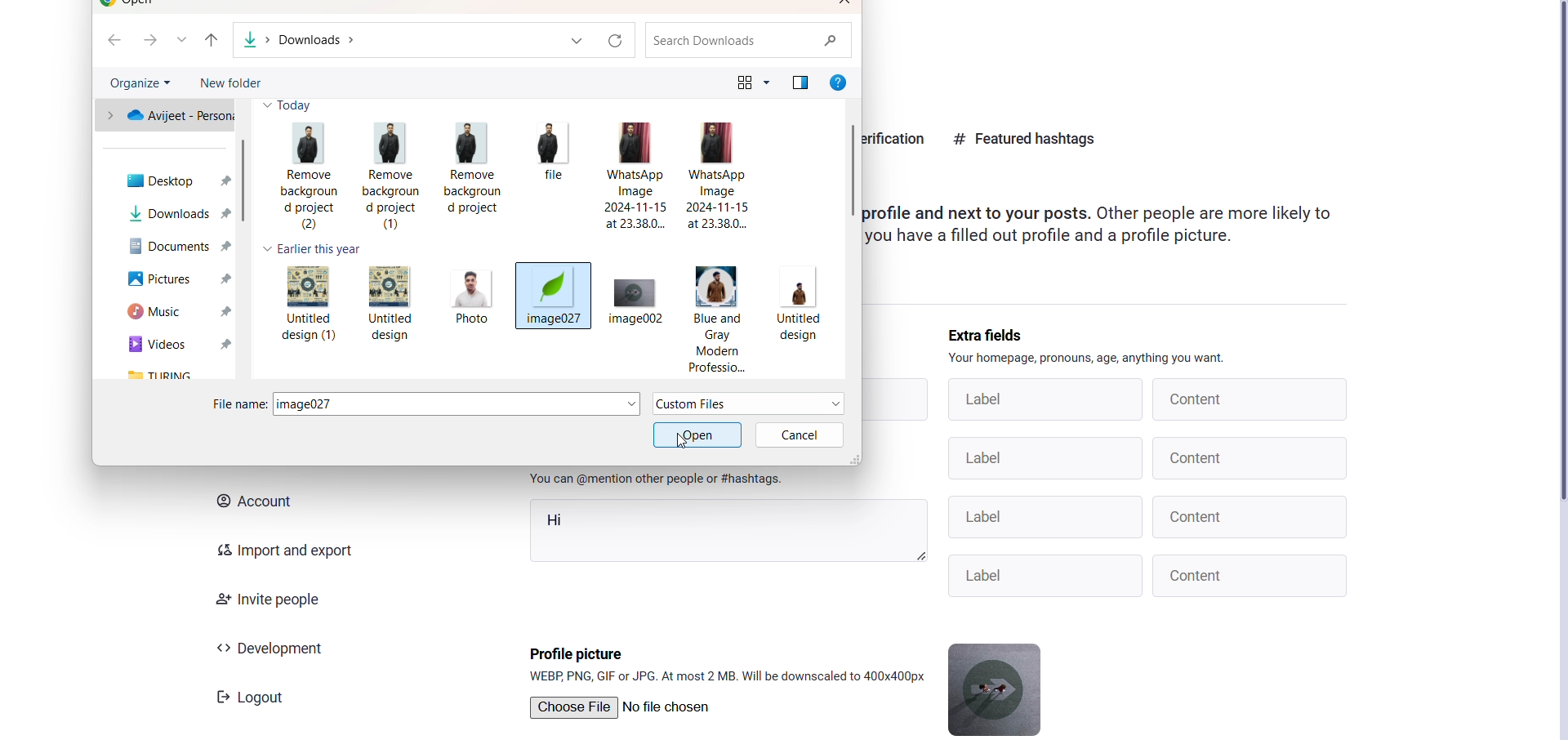  What do you see at coordinates (176, 212) in the screenshot?
I see `downloads` at bounding box center [176, 212].